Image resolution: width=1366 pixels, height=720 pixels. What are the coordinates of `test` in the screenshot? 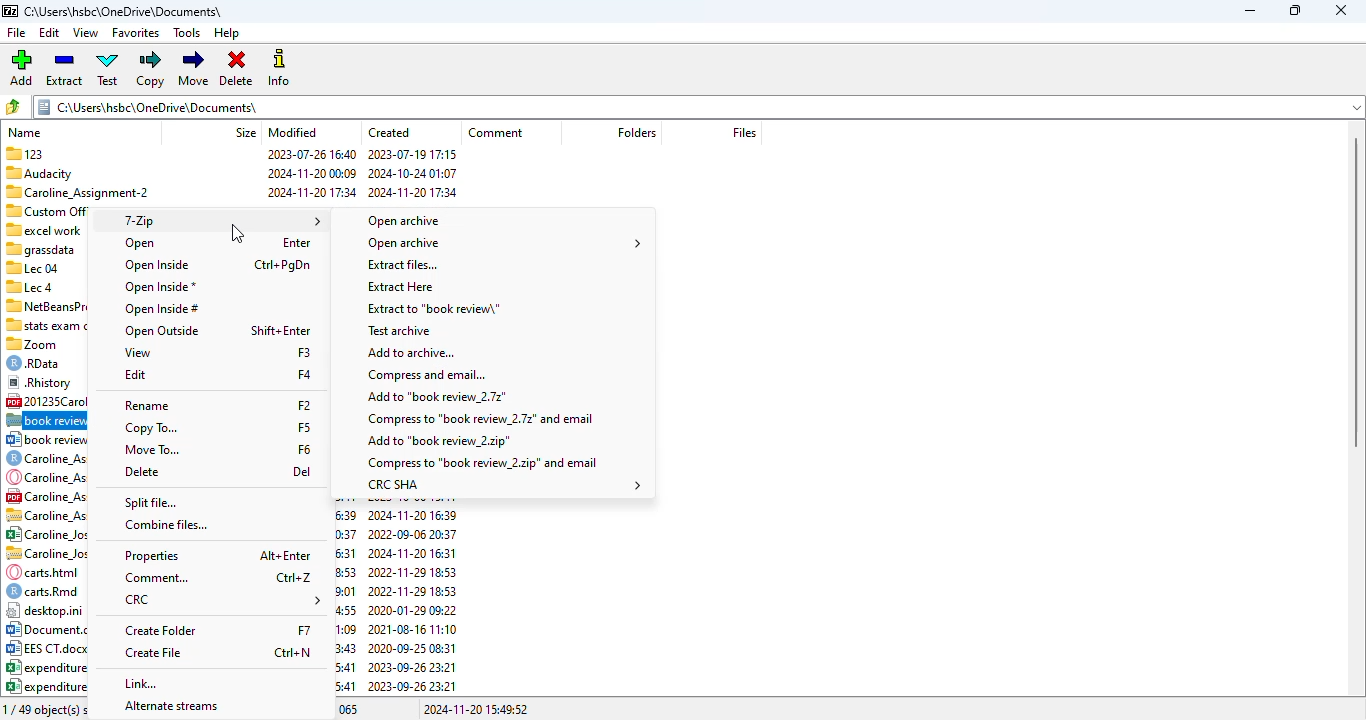 It's located at (109, 69).